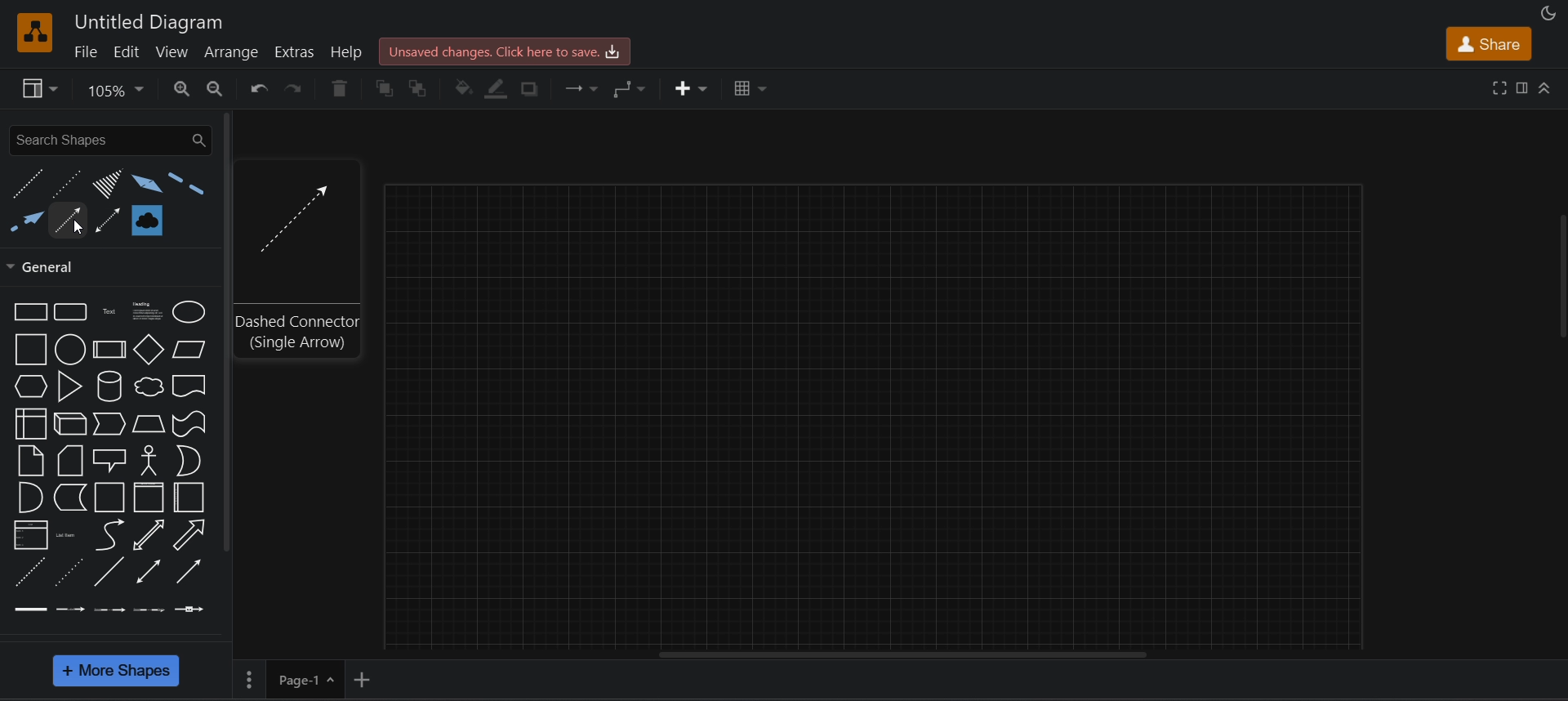 This screenshot has height=701, width=1568. What do you see at coordinates (1549, 13) in the screenshot?
I see `appearance` at bounding box center [1549, 13].